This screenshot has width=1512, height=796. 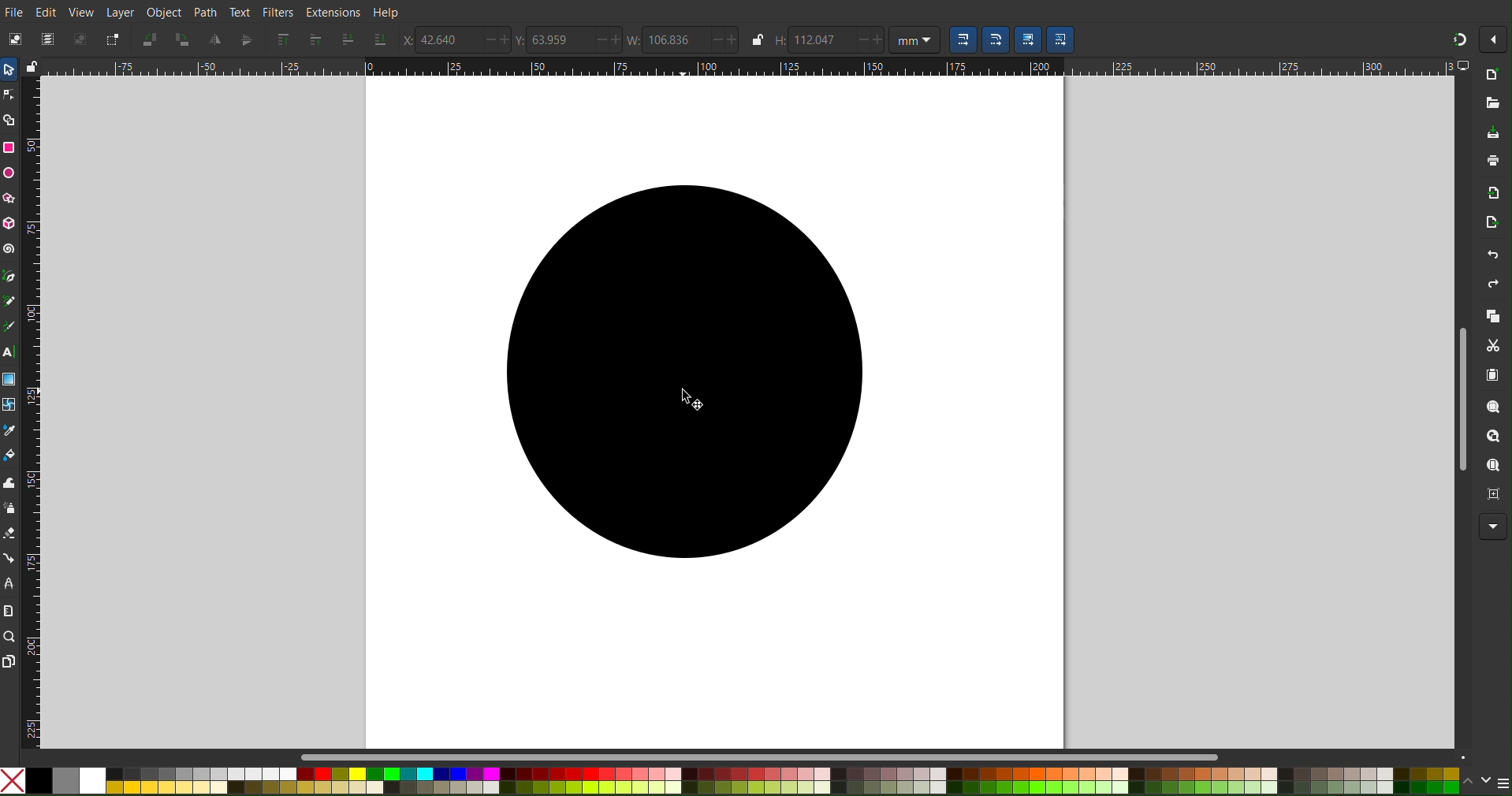 I want to click on Deselect, so click(x=82, y=38).